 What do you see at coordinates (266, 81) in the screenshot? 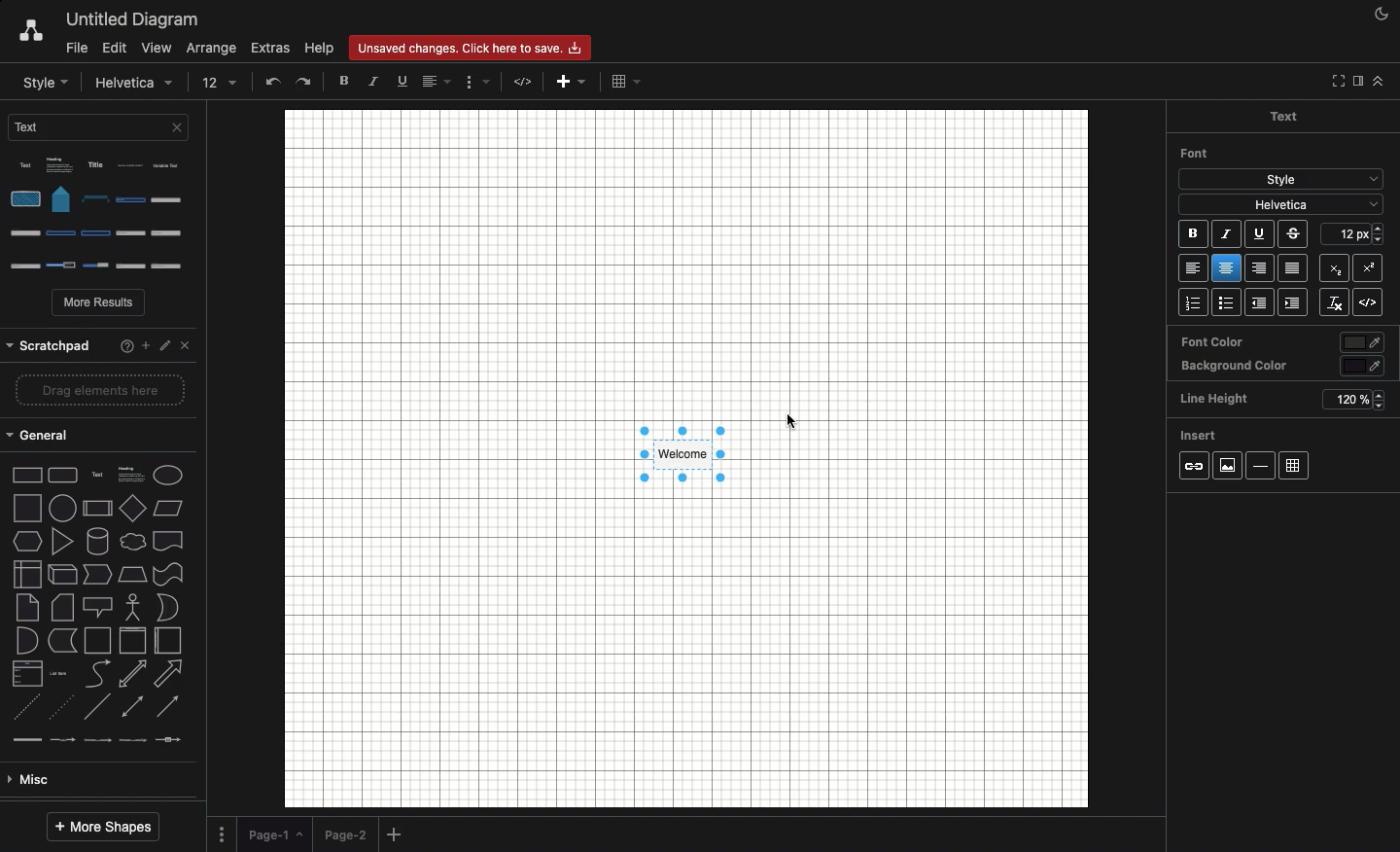
I see `Redo` at bounding box center [266, 81].